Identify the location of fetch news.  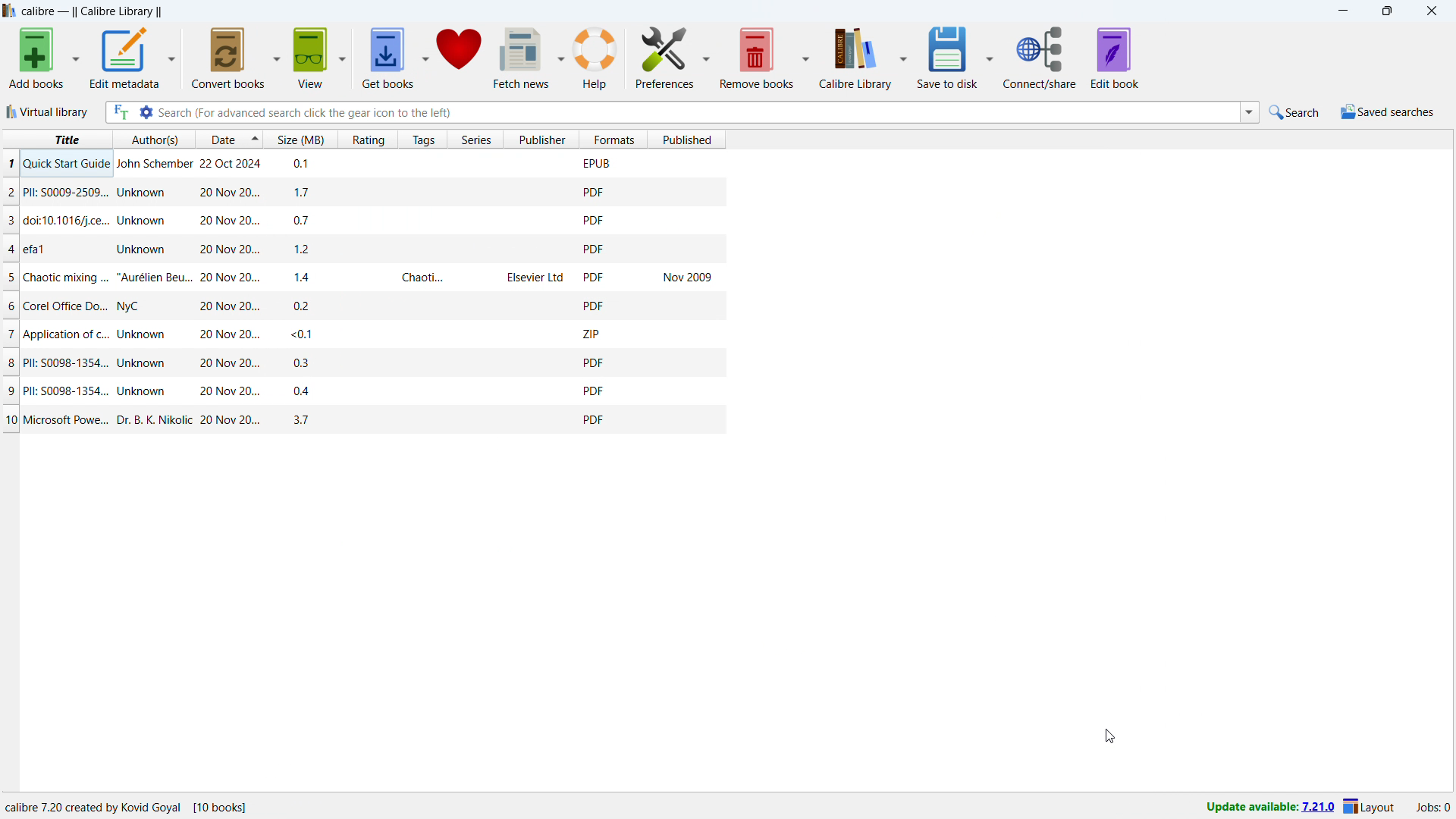
(520, 58).